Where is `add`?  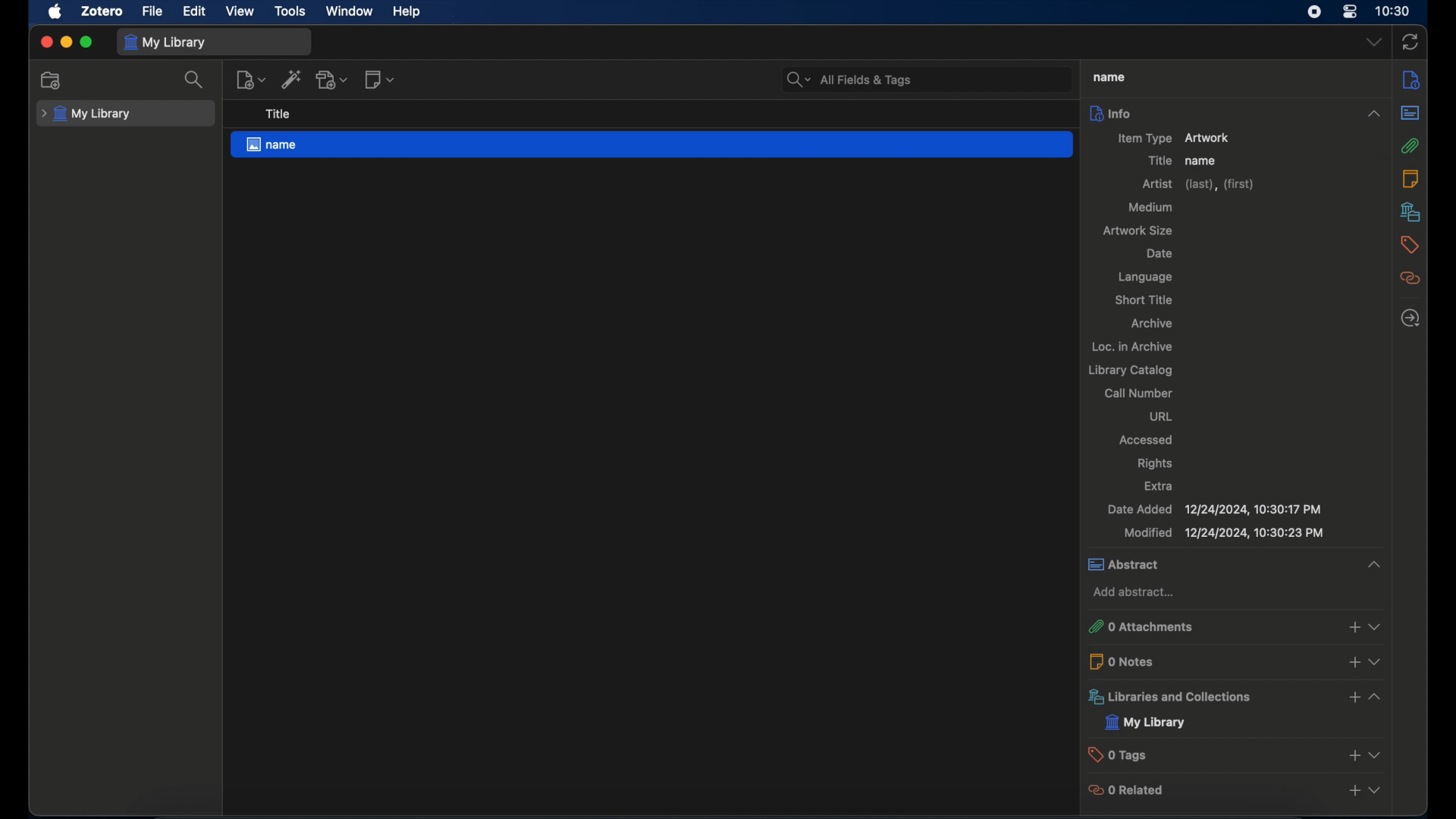
add is located at coordinates (1350, 626).